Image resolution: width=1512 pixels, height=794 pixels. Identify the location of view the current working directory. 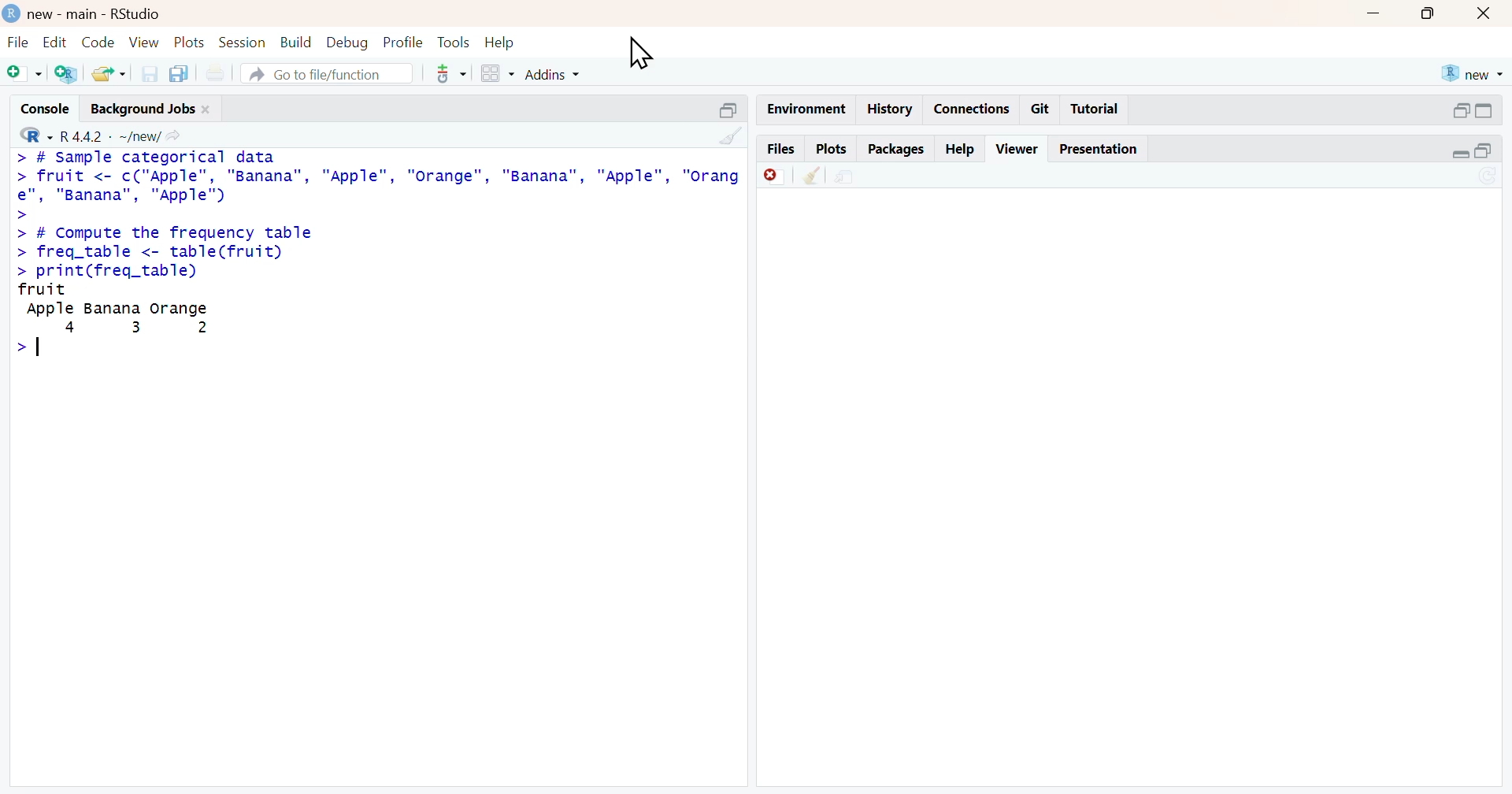
(174, 137).